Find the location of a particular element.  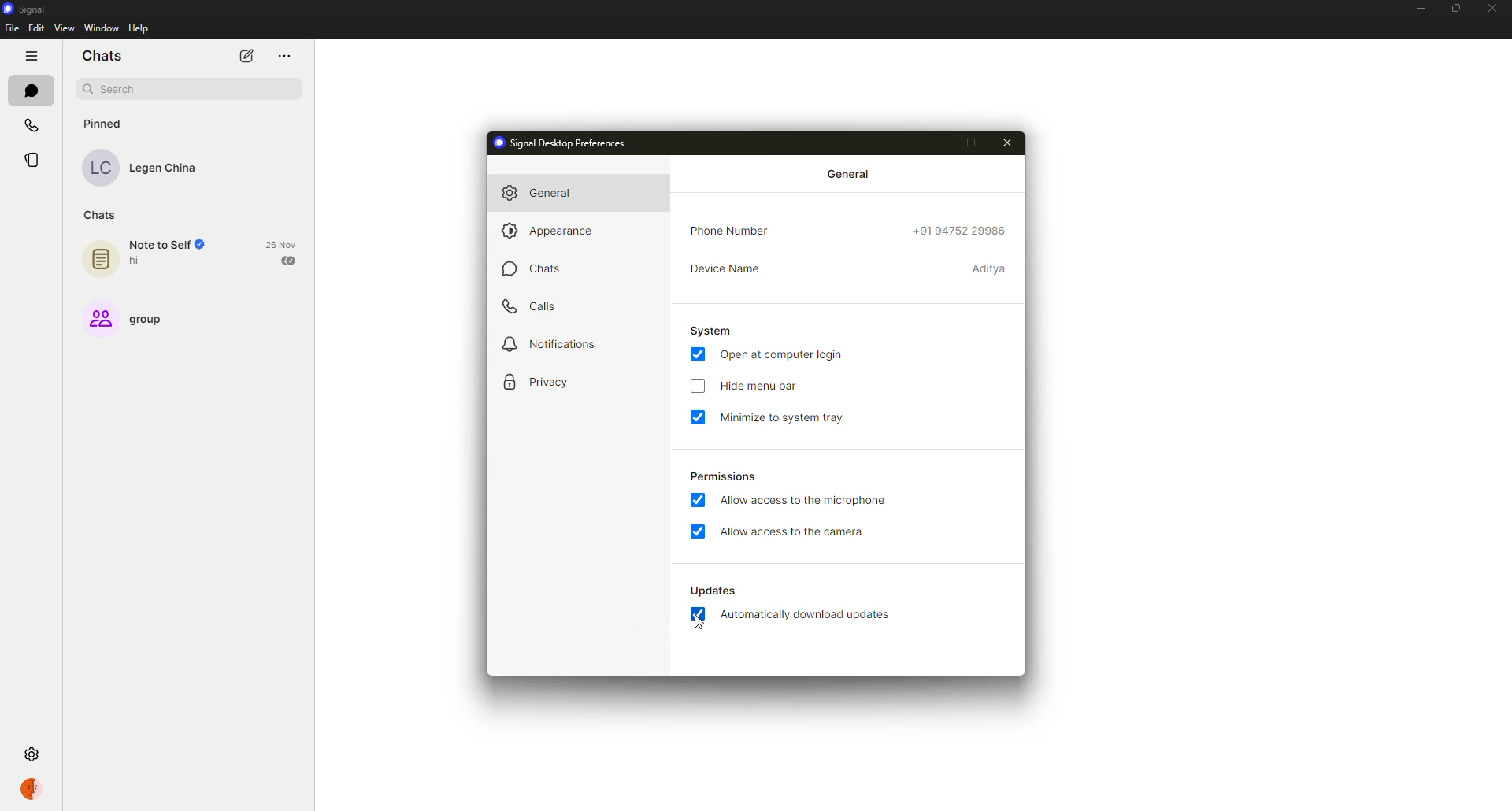

26 Nov is located at coordinates (279, 243).